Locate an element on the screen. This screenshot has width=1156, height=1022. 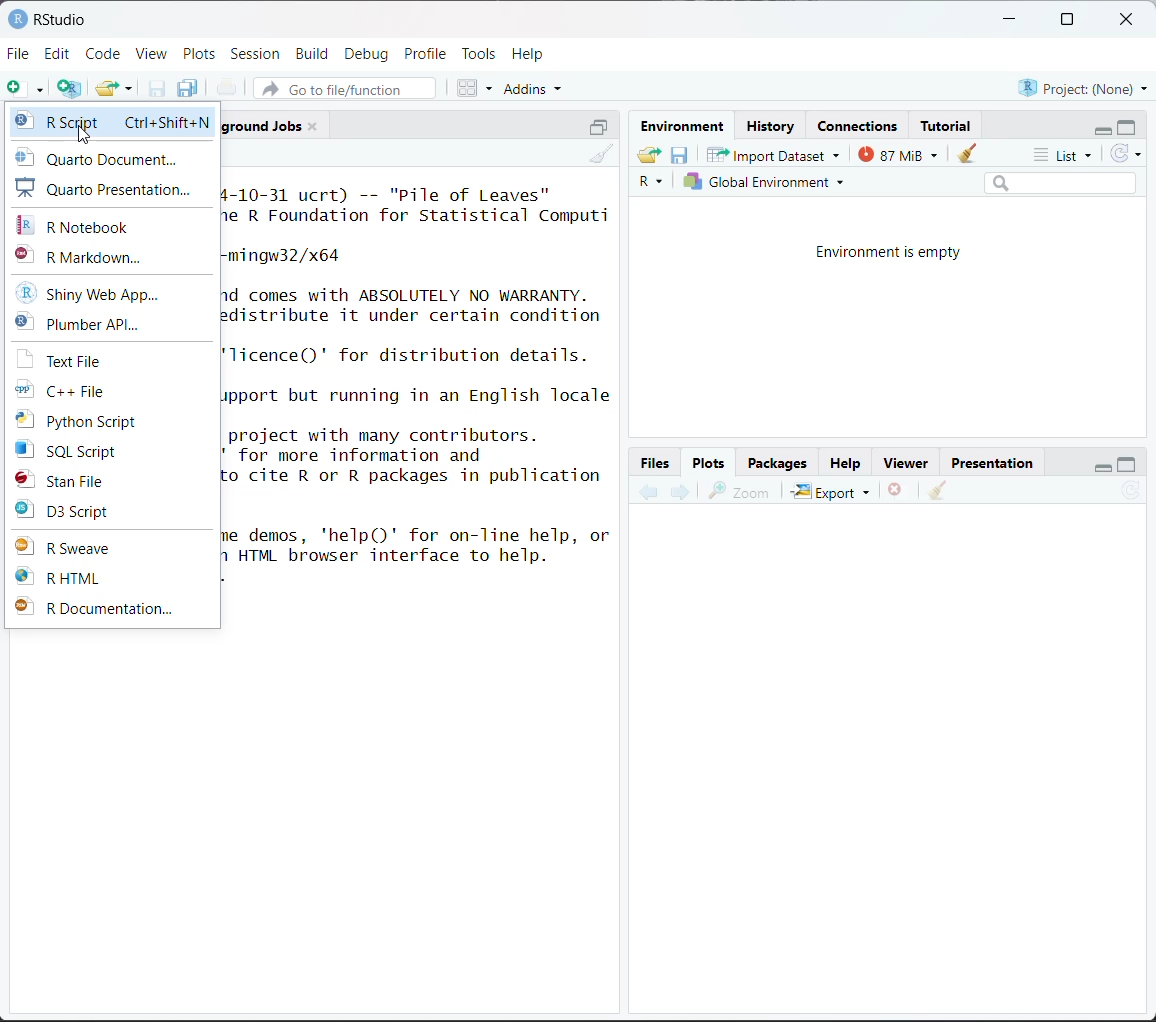
Plots is located at coordinates (709, 461).